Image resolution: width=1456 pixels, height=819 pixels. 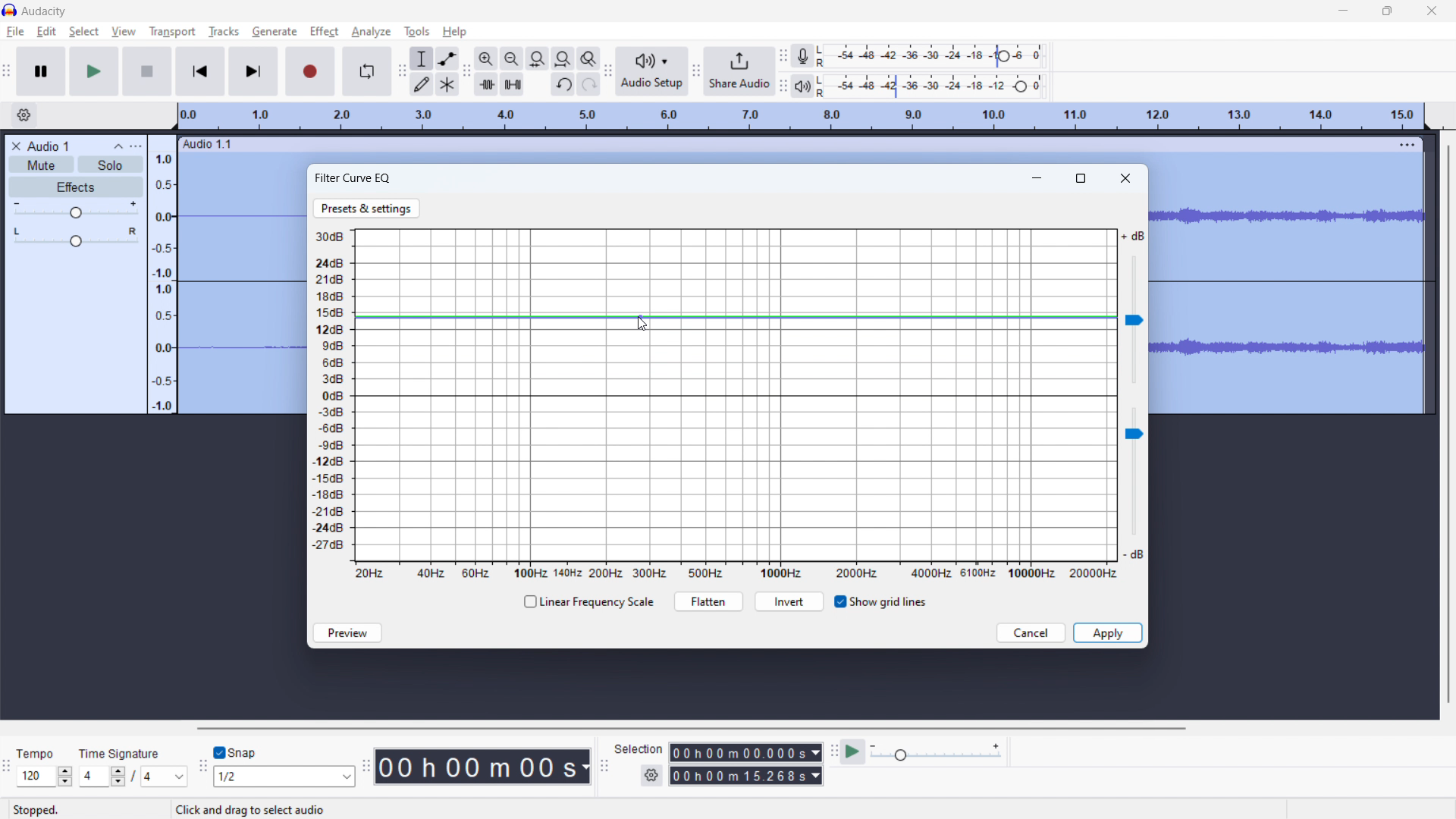 What do you see at coordinates (562, 85) in the screenshot?
I see `undo` at bounding box center [562, 85].